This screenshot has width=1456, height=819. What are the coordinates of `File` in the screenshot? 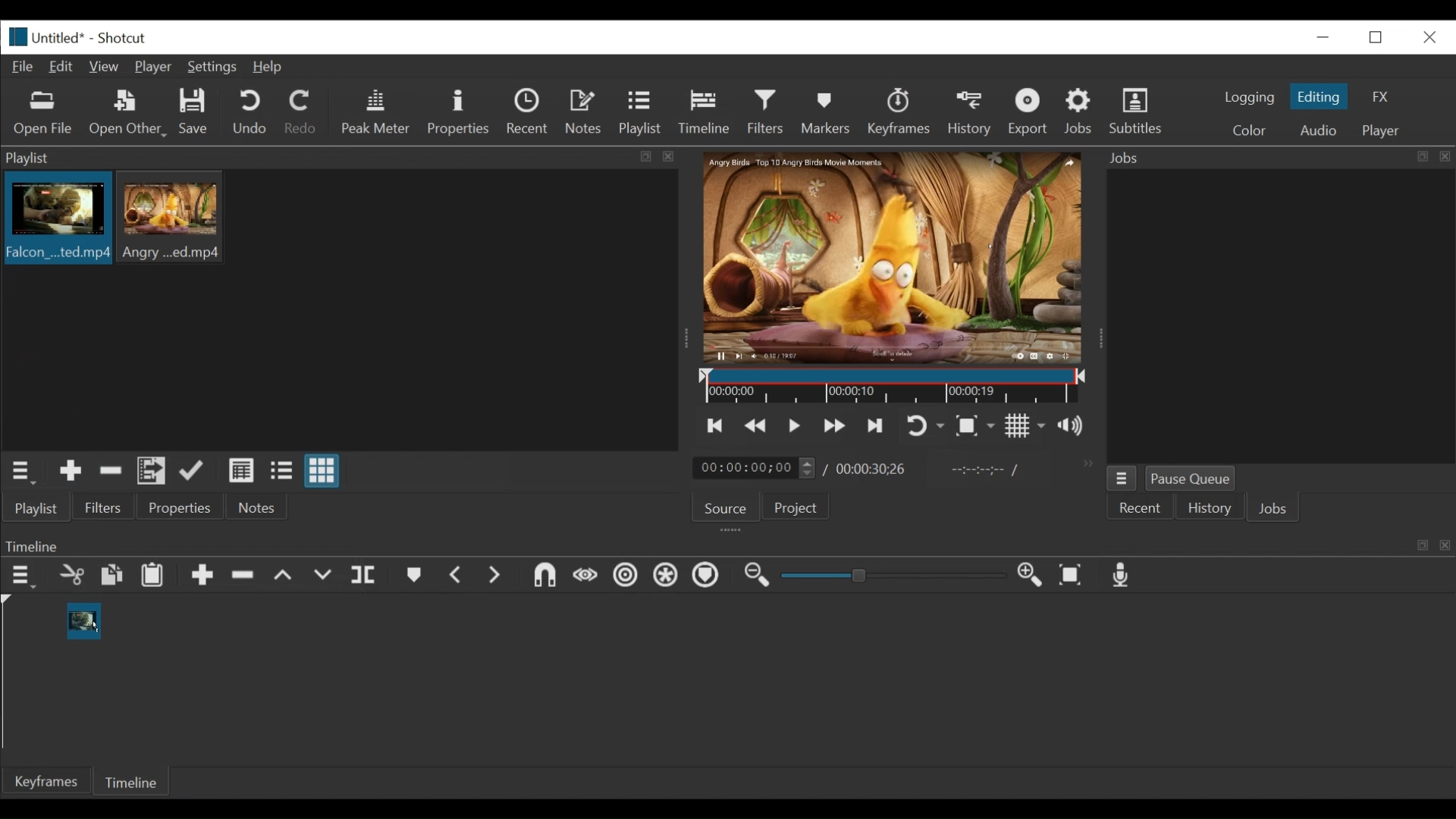 It's located at (26, 67).